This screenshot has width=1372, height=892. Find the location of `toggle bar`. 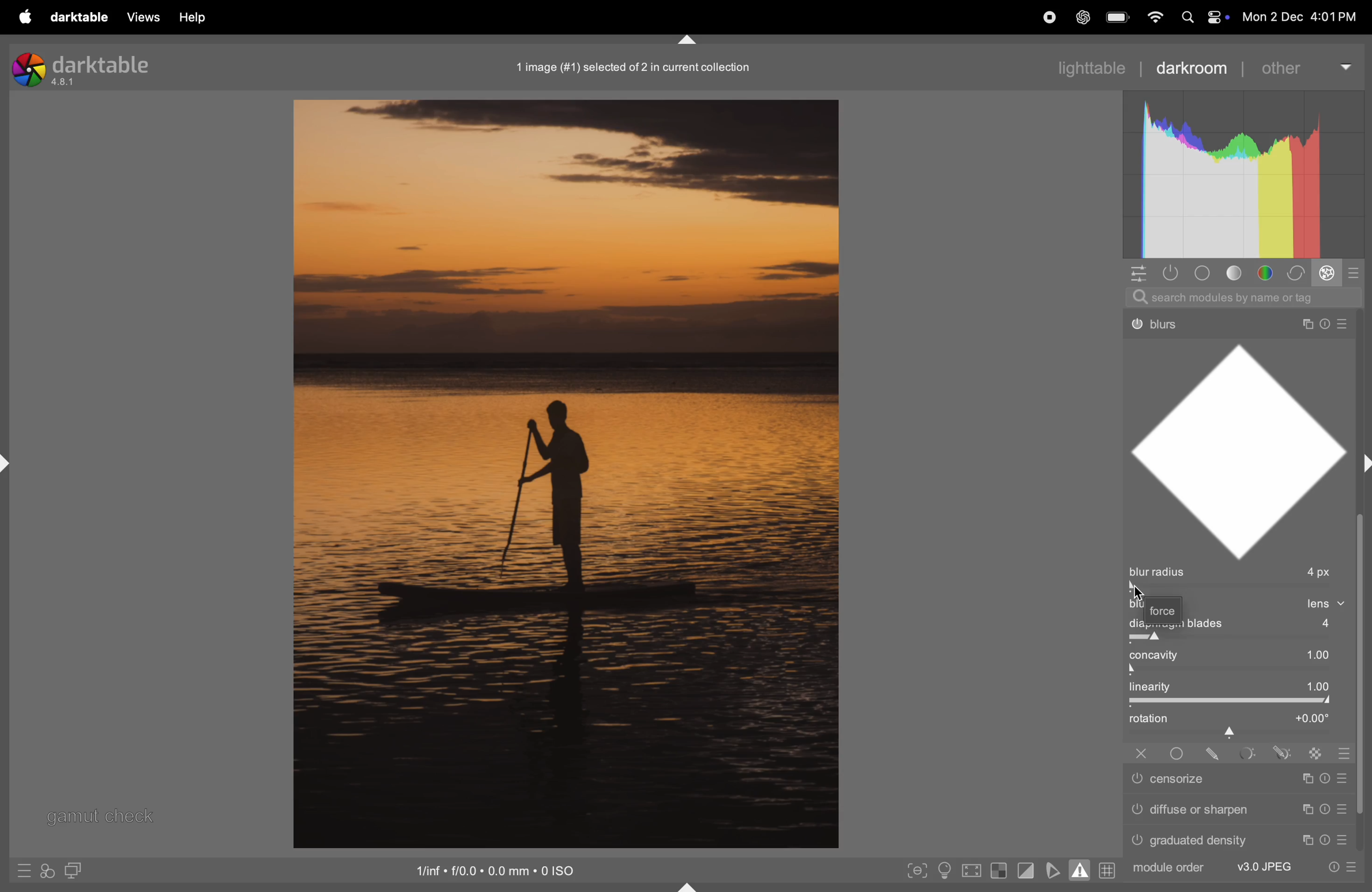

toggle bar is located at coordinates (1241, 638).